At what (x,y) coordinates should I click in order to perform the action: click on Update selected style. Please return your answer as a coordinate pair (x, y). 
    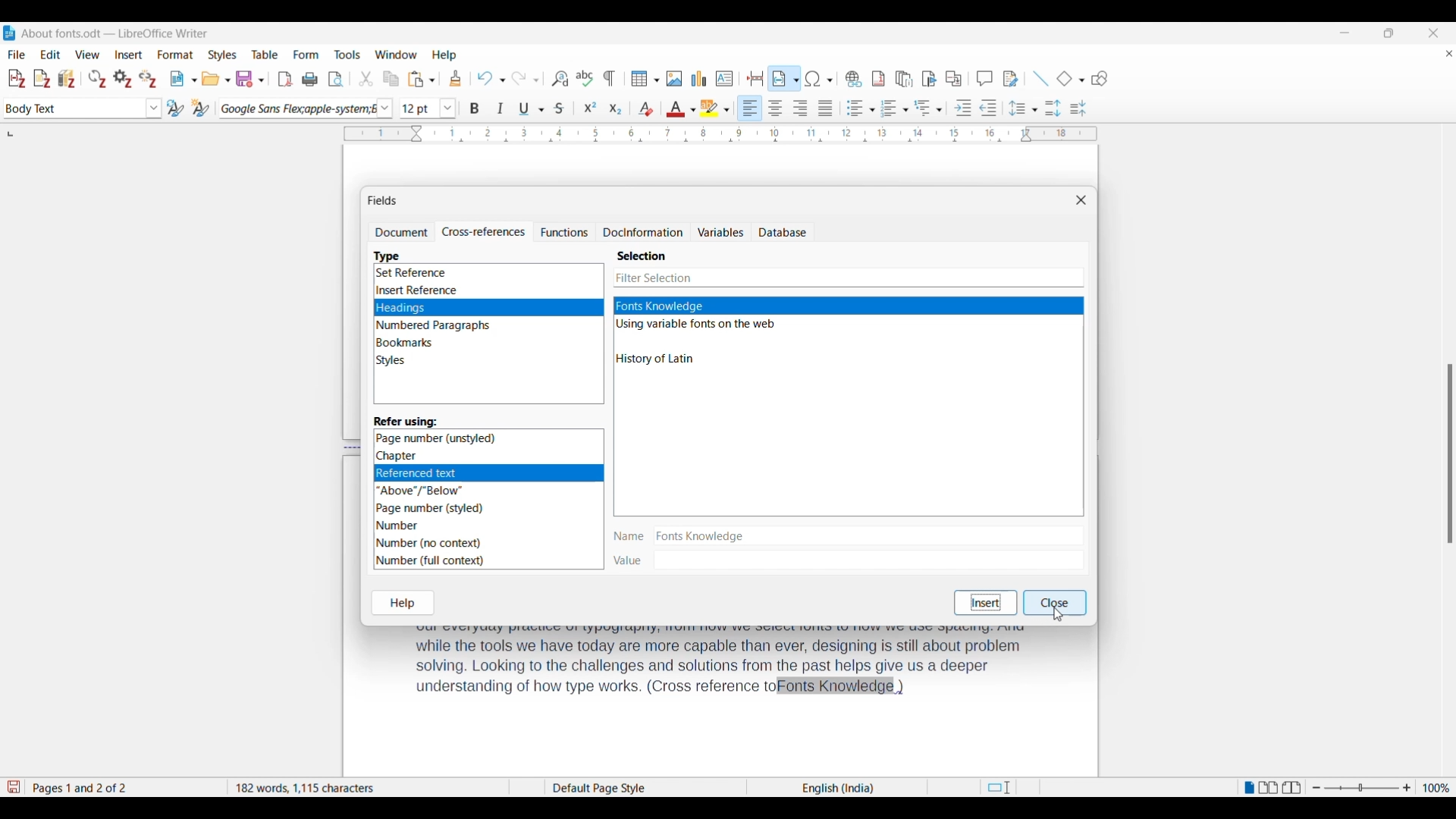
    Looking at the image, I should click on (175, 108).